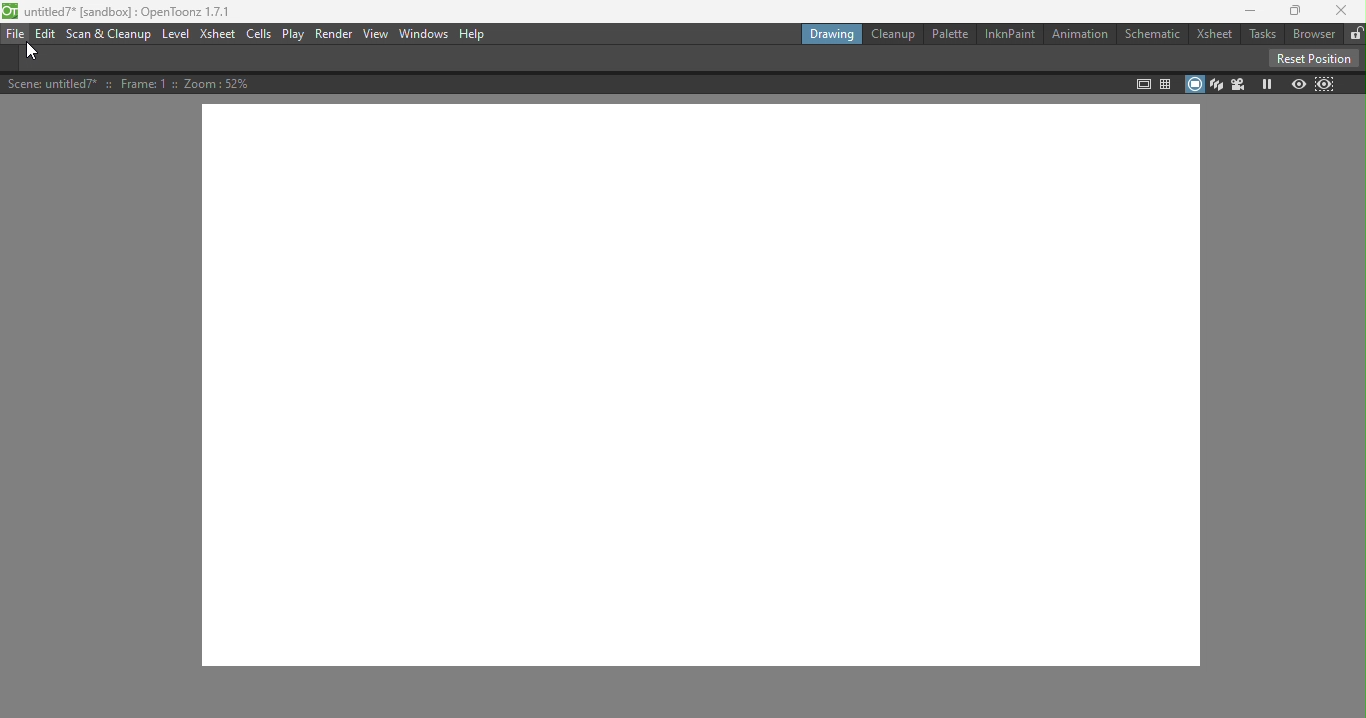  Describe the element at coordinates (1261, 34) in the screenshot. I see `Tasks` at that location.